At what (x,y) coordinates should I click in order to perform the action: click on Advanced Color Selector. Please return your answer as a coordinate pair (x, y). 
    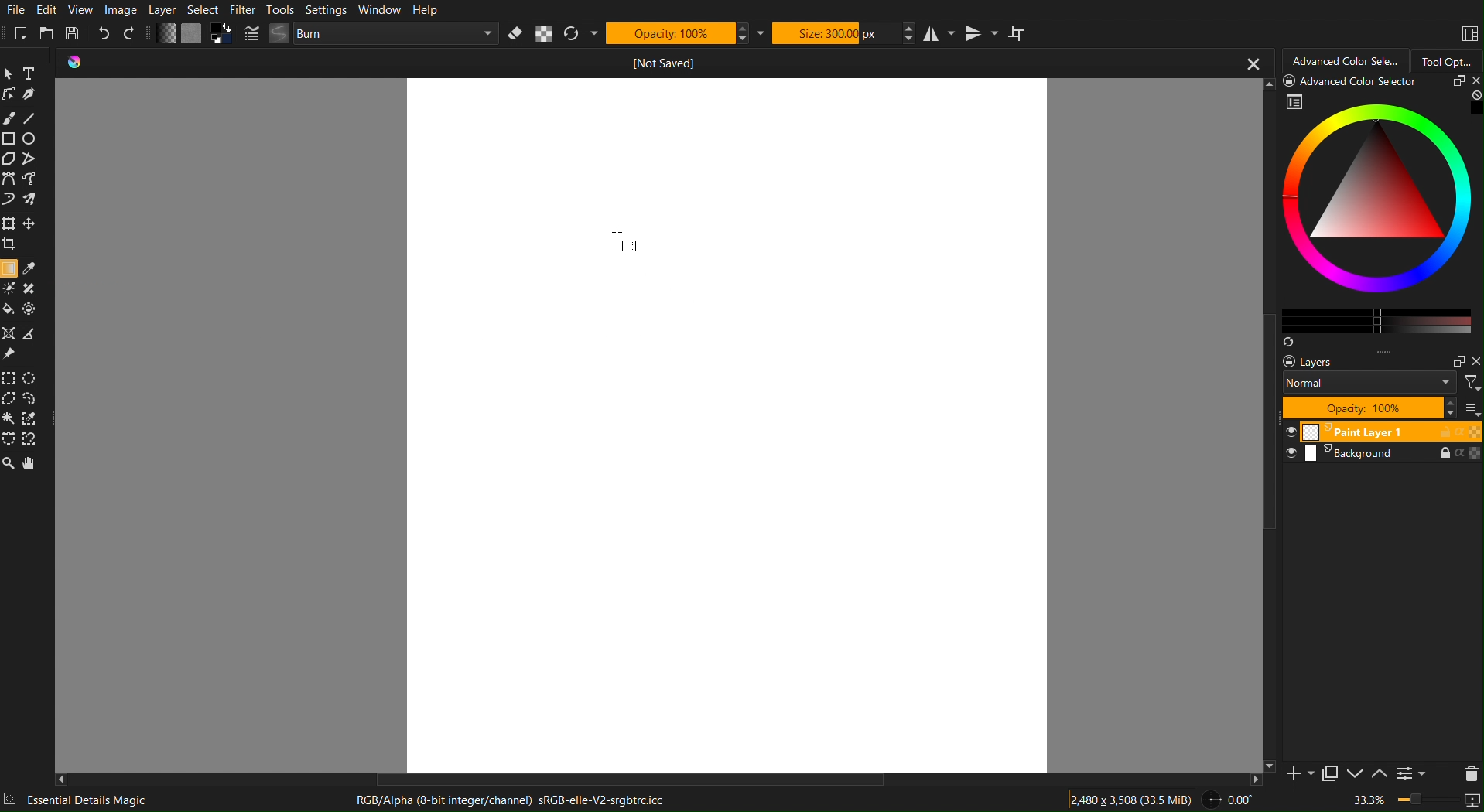
    Looking at the image, I should click on (1344, 60).